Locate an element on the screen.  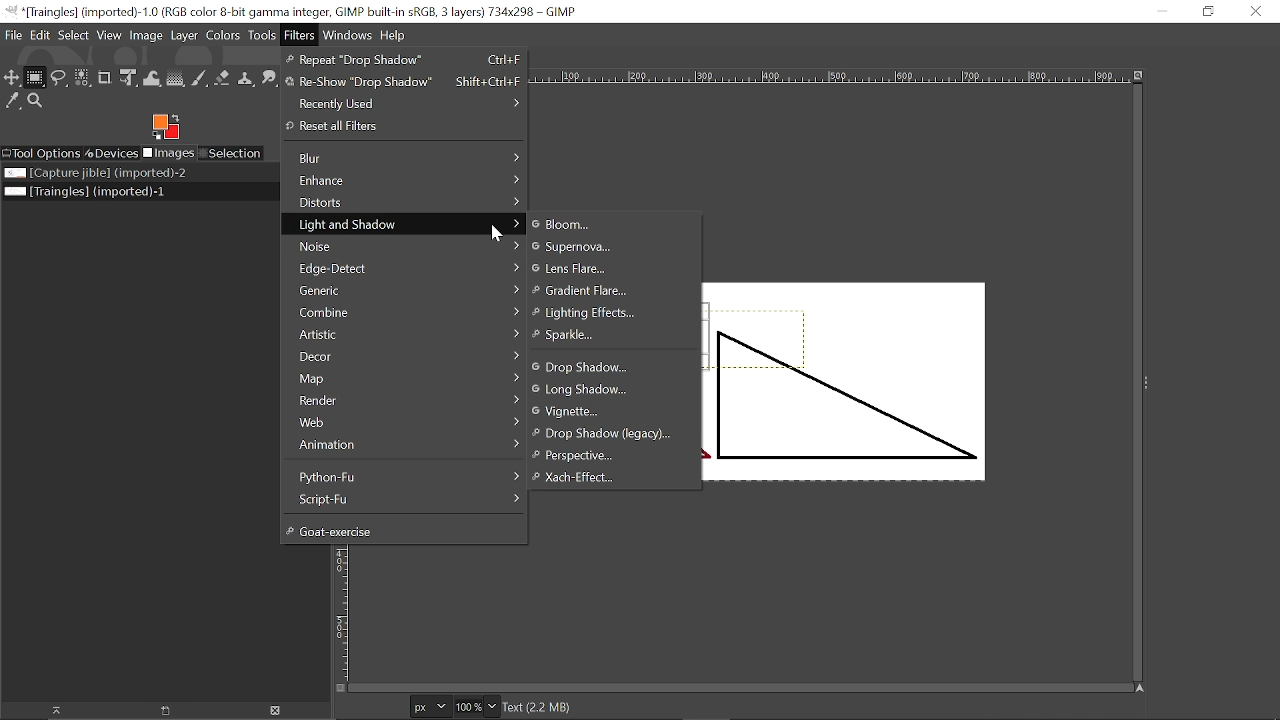
eraser tool is located at coordinates (223, 80).